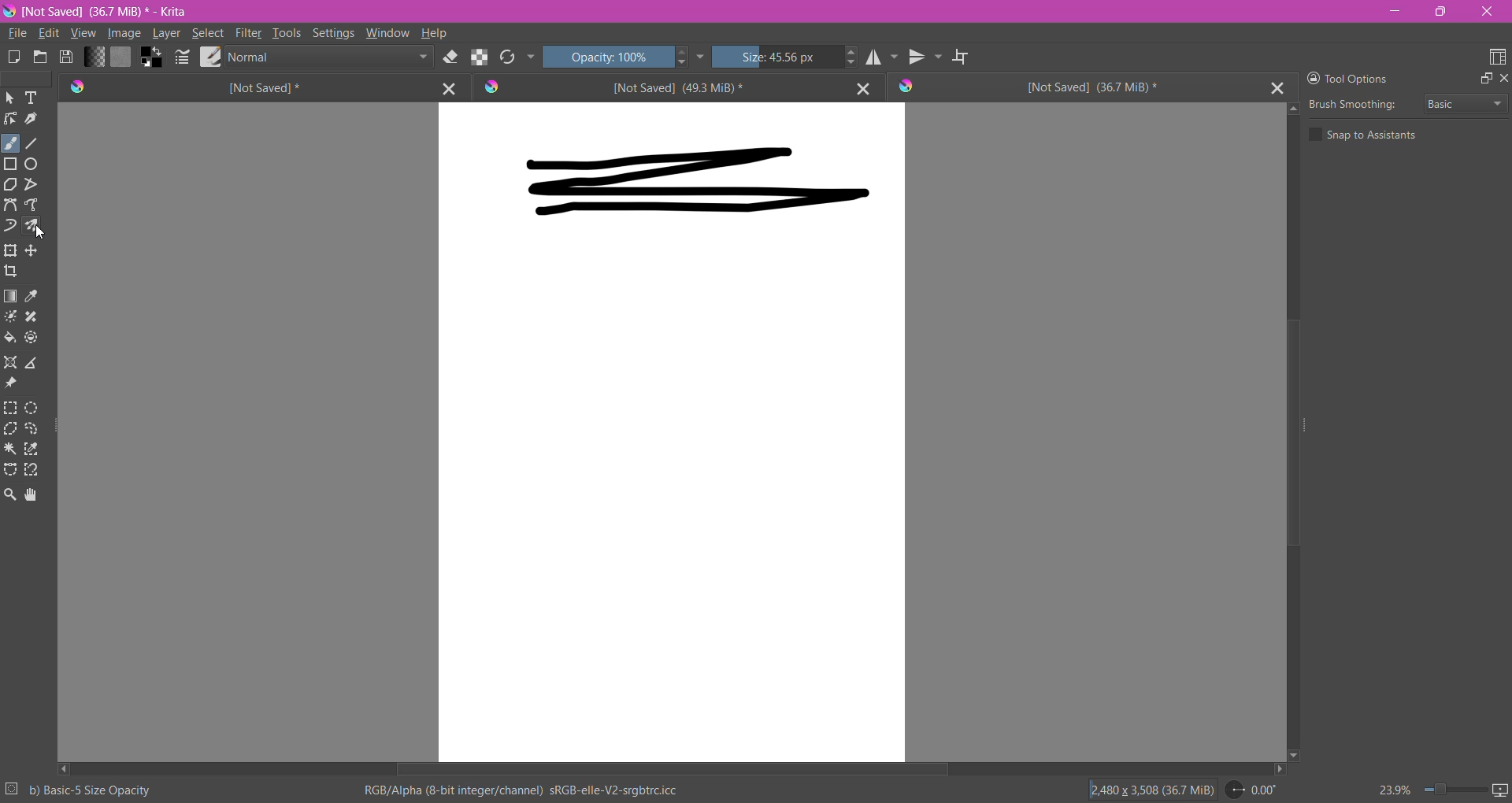  Describe the element at coordinates (1278, 87) in the screenshot. I see `Close Tab` at that location.